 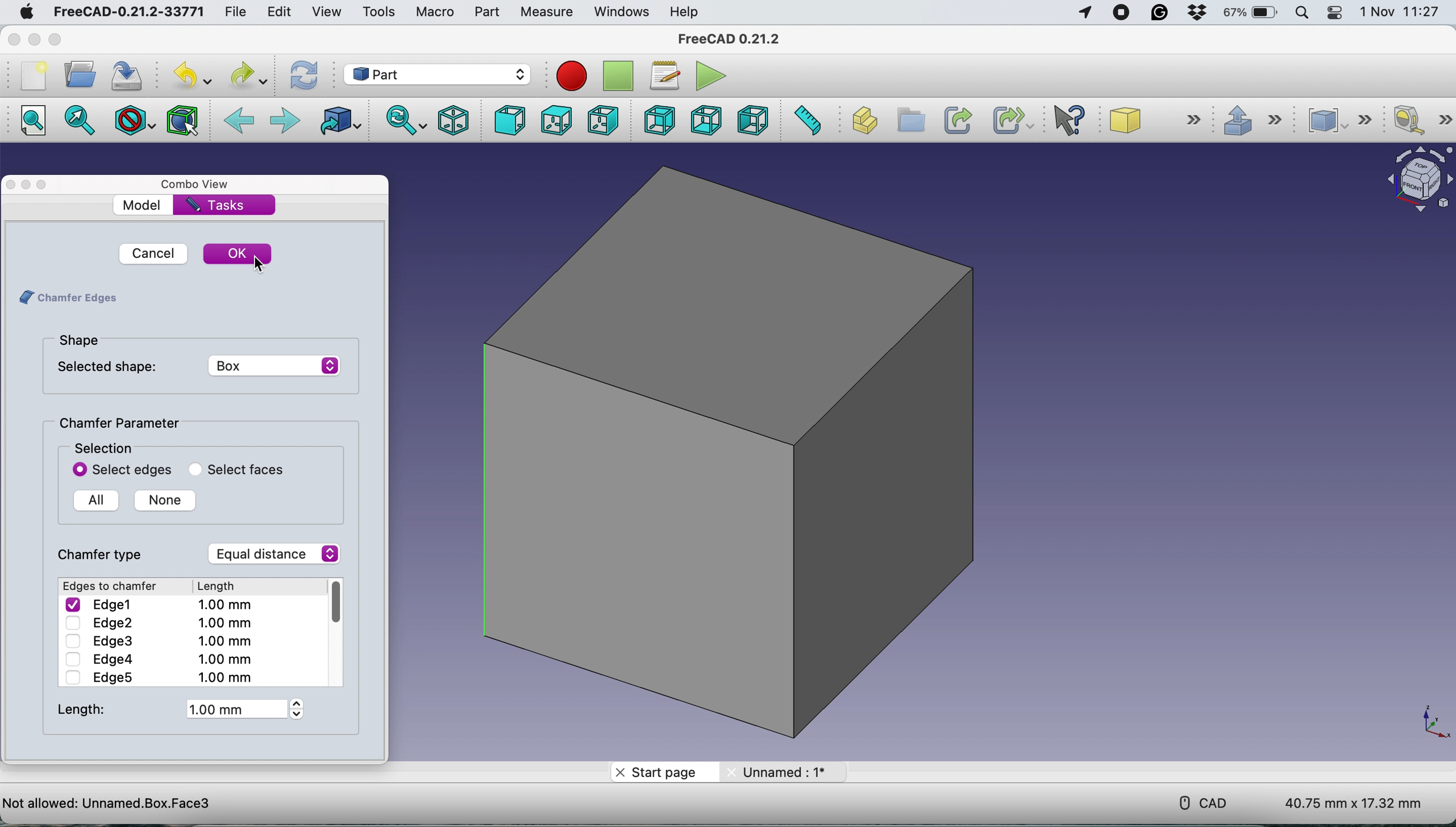 I want to click on top, so click(x=555, y=120).